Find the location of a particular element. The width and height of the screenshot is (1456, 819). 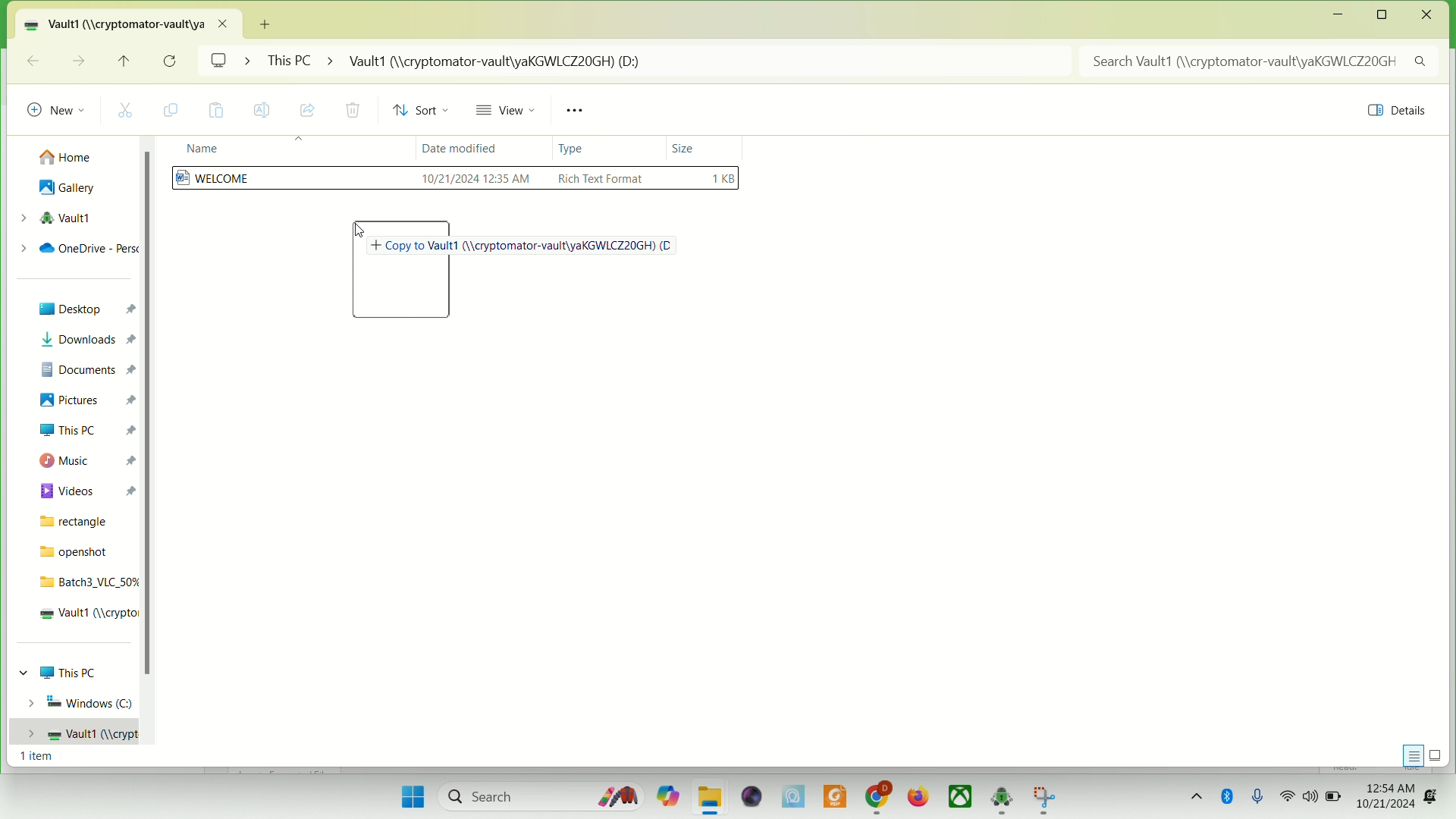

app is located at coordinates (1043, 799).